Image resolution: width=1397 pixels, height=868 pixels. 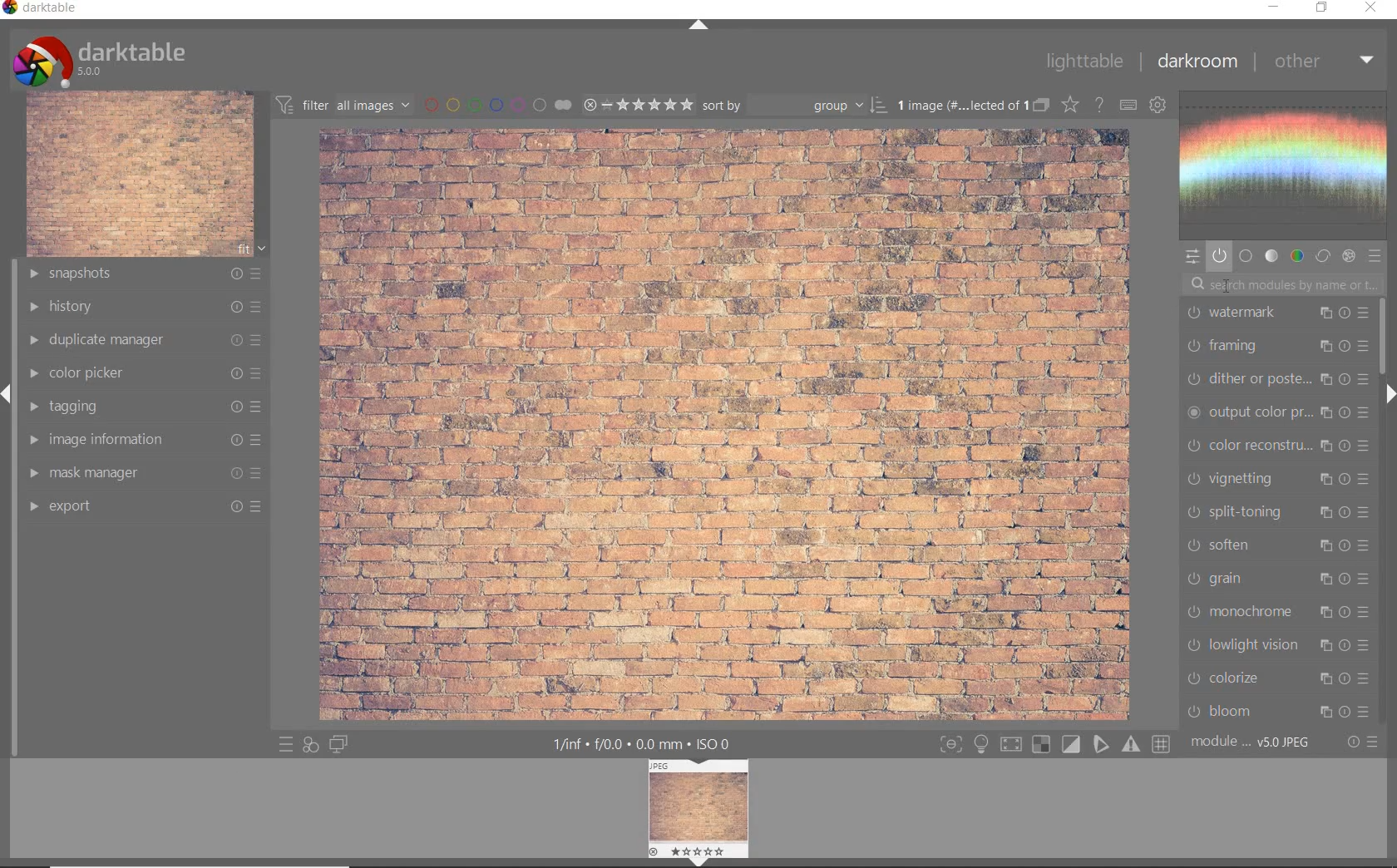 I want to click on base, so click(x=1246, y=256).